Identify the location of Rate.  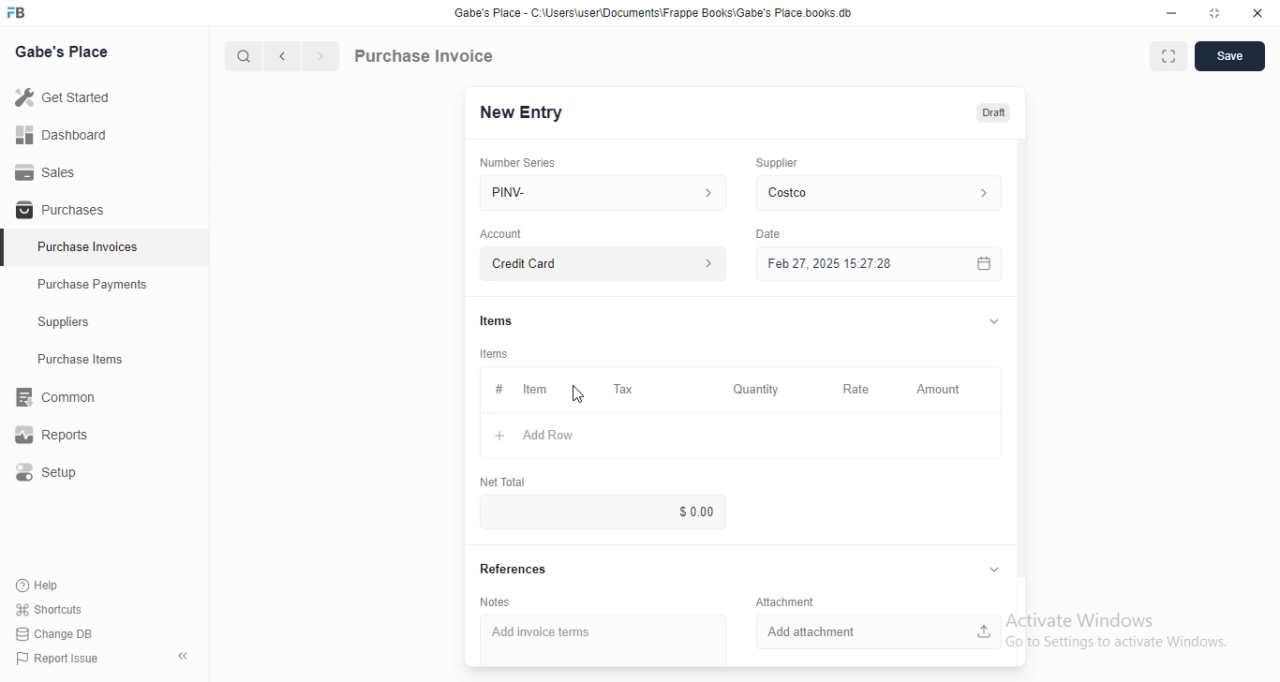
(860, 389).